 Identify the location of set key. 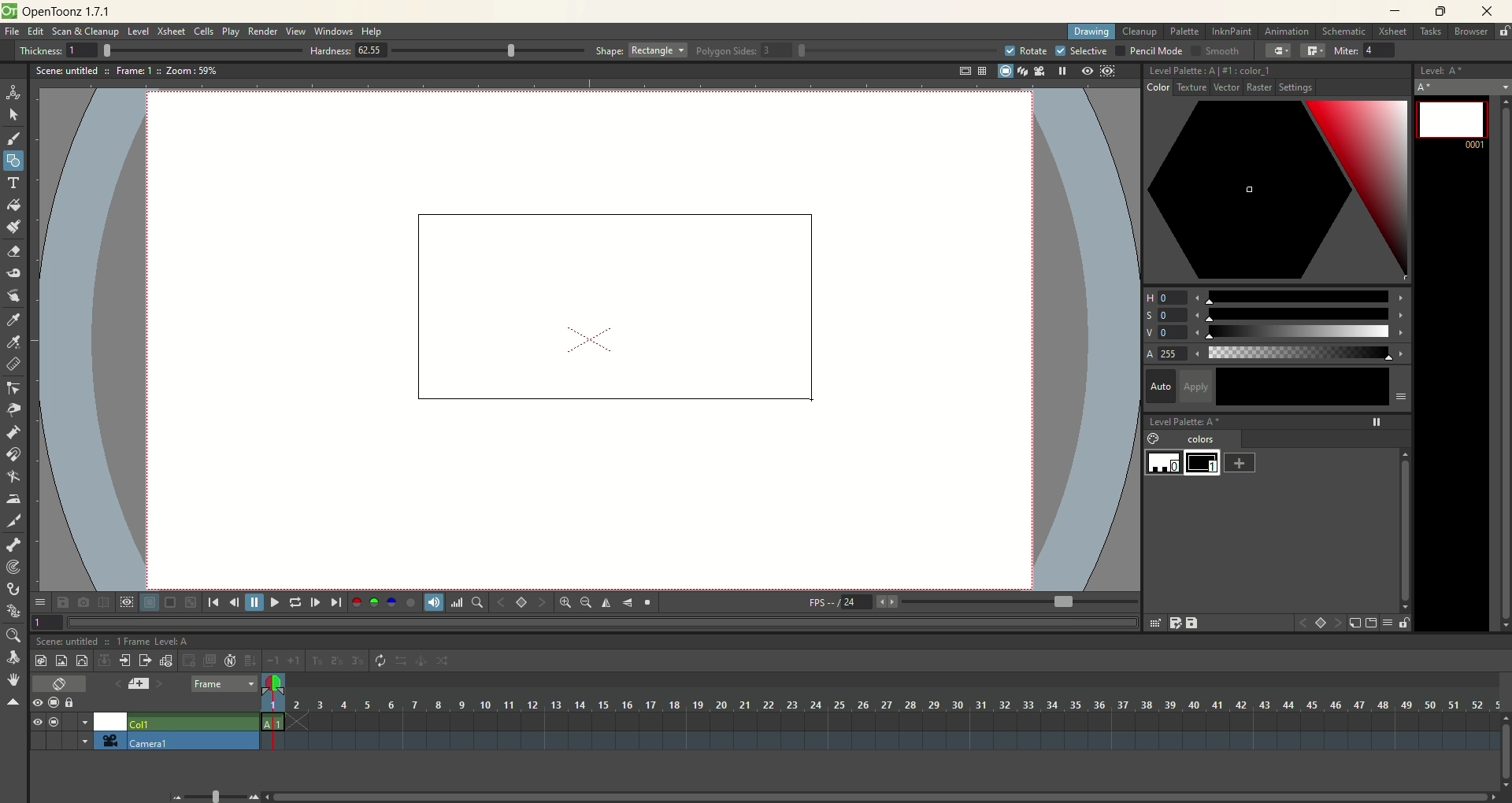
(521, 601).